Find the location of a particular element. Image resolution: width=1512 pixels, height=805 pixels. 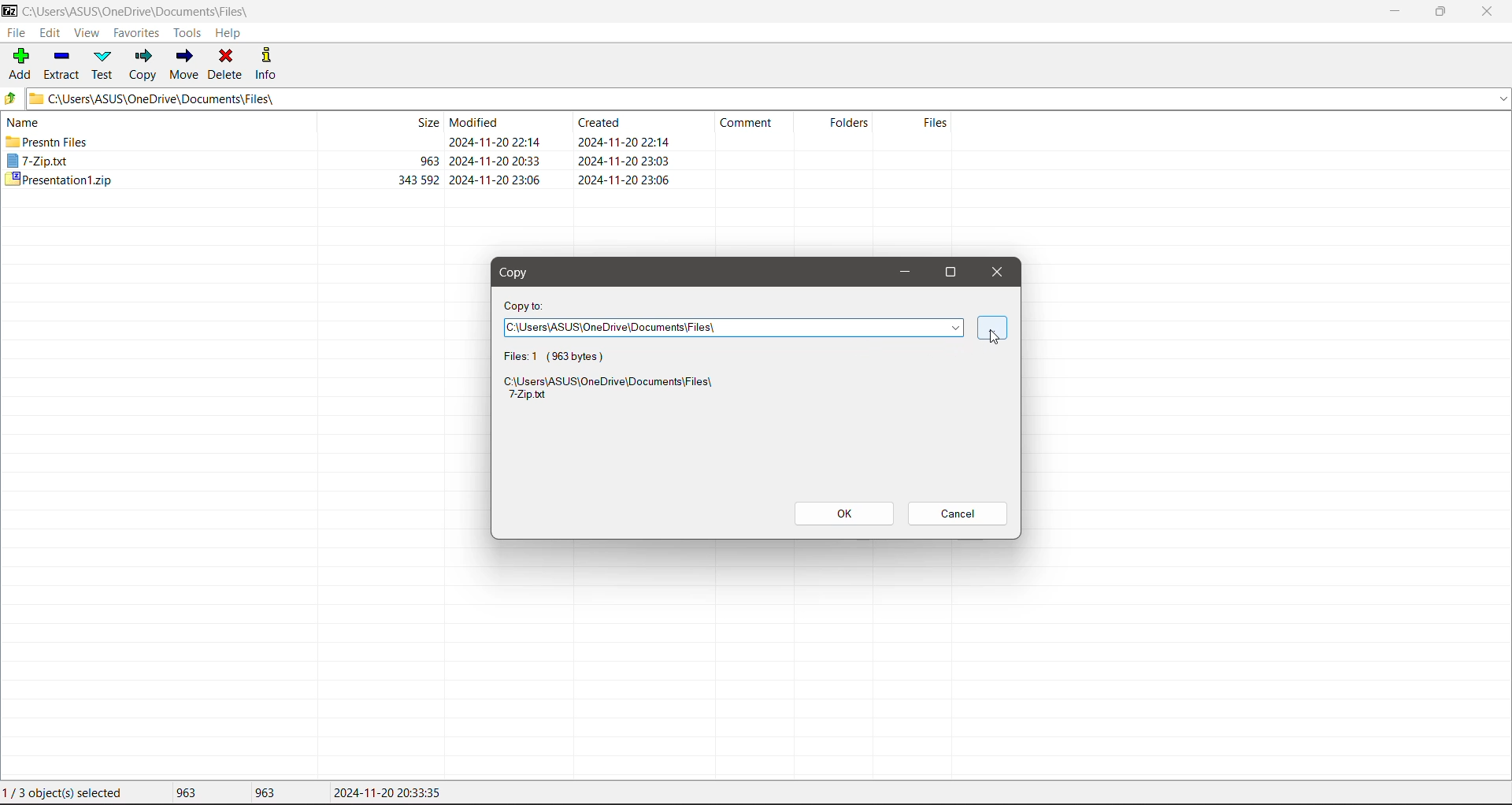

Selected file location path is located at coordinates (613, 391).